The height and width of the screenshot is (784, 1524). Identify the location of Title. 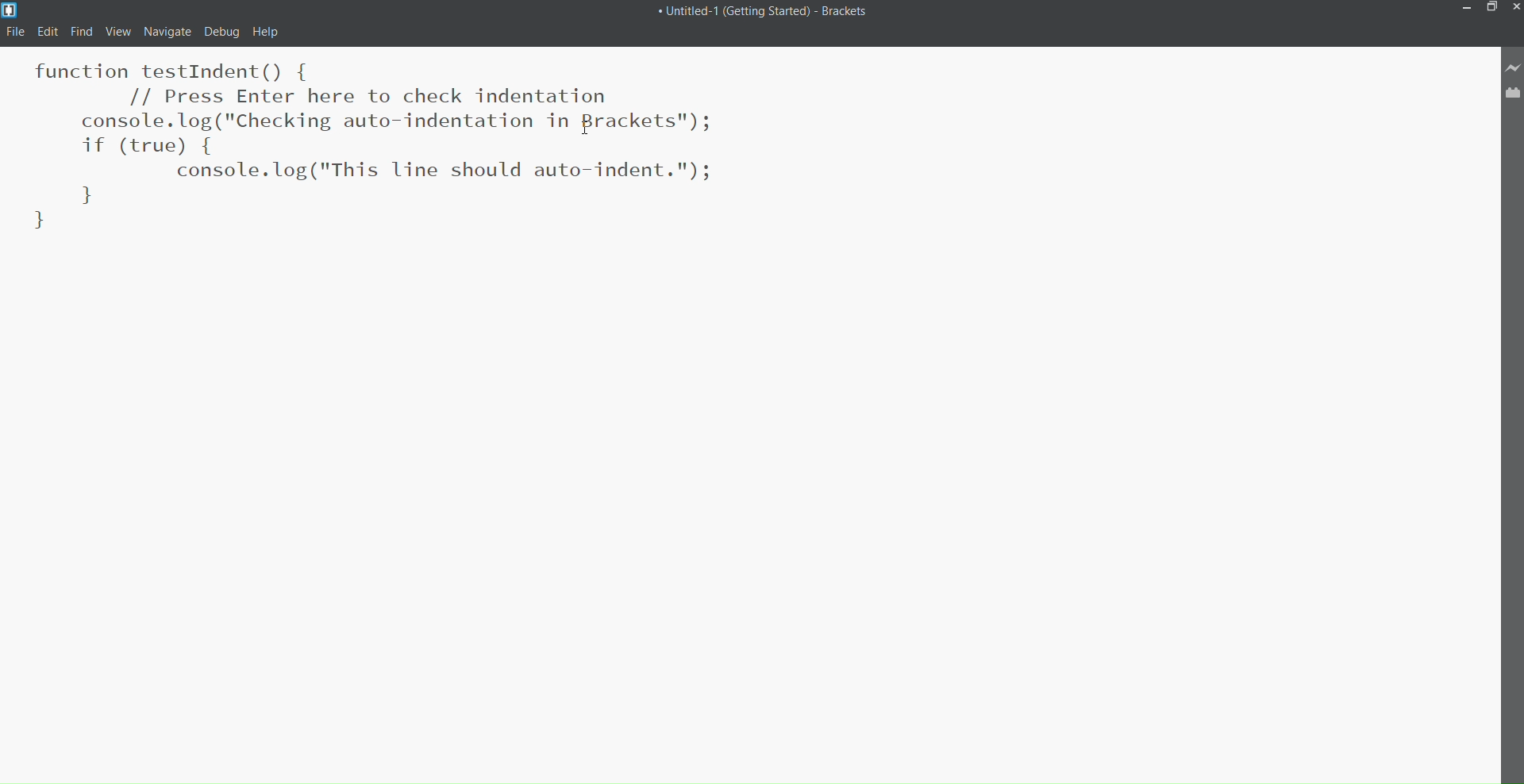
(768, 14).